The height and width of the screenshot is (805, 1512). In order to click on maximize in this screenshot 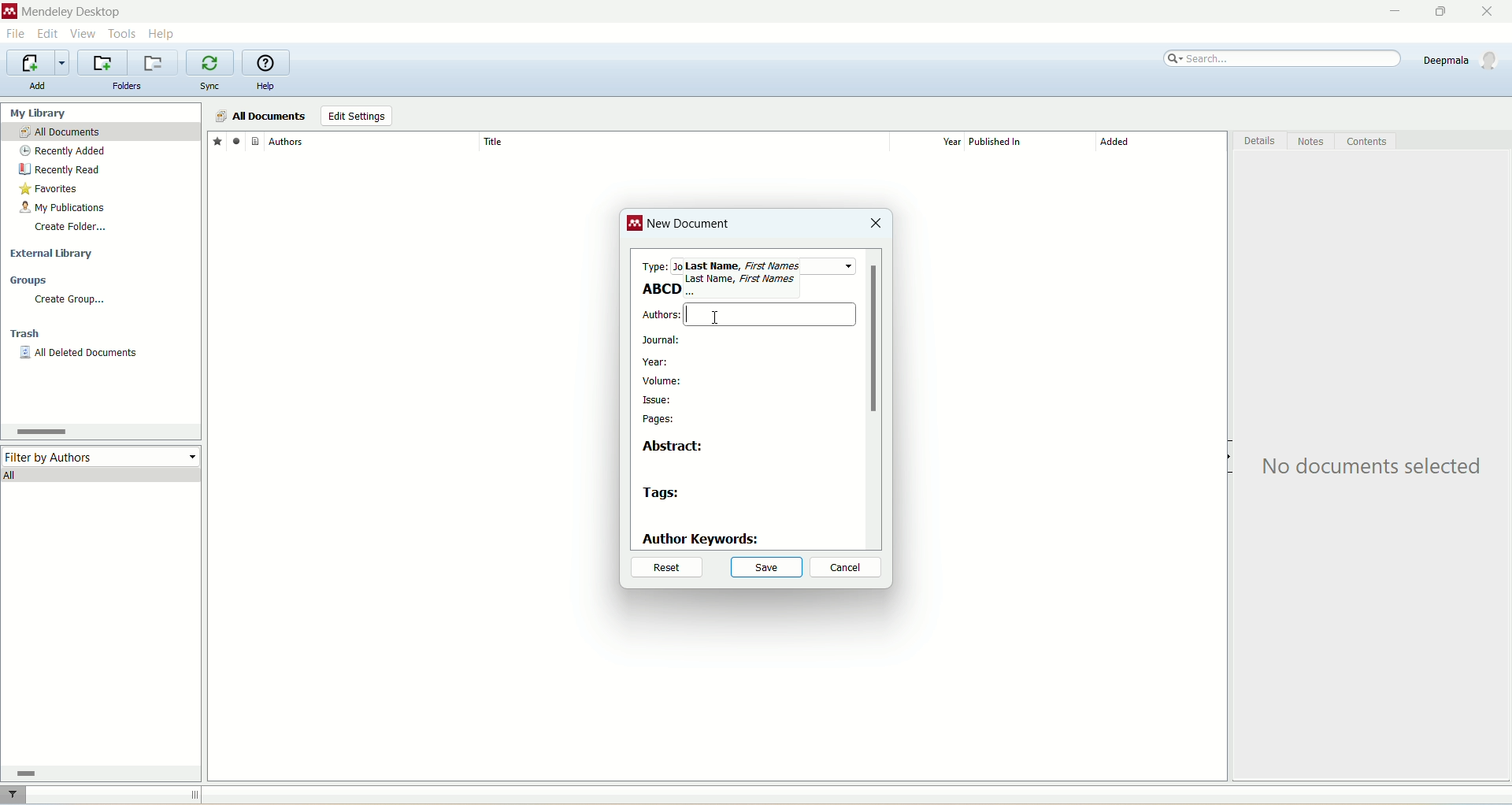, I will do `click(1437, 12)`.